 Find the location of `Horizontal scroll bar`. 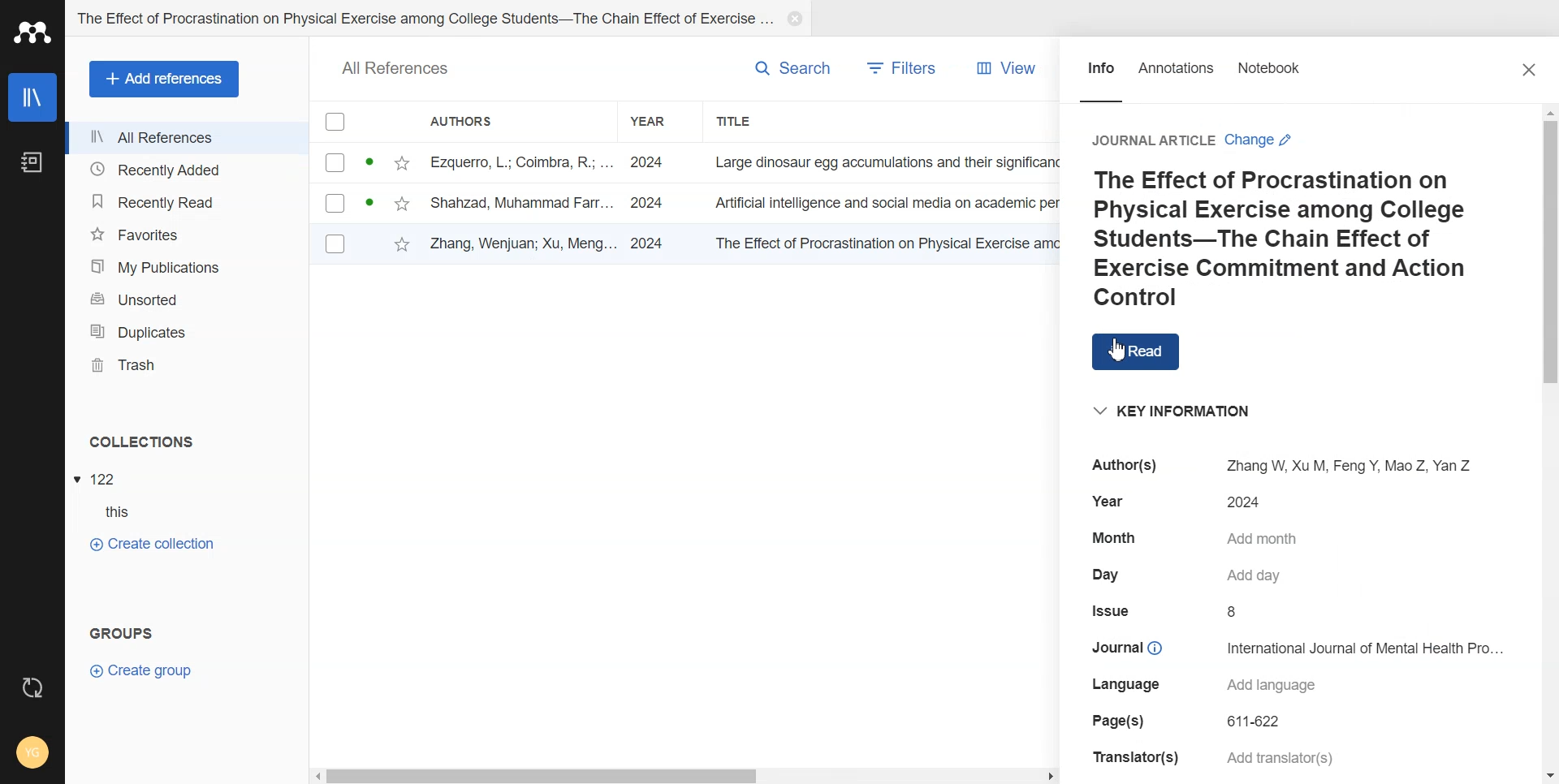

Horizontal scroll bar is located at coordinates (685, 775).